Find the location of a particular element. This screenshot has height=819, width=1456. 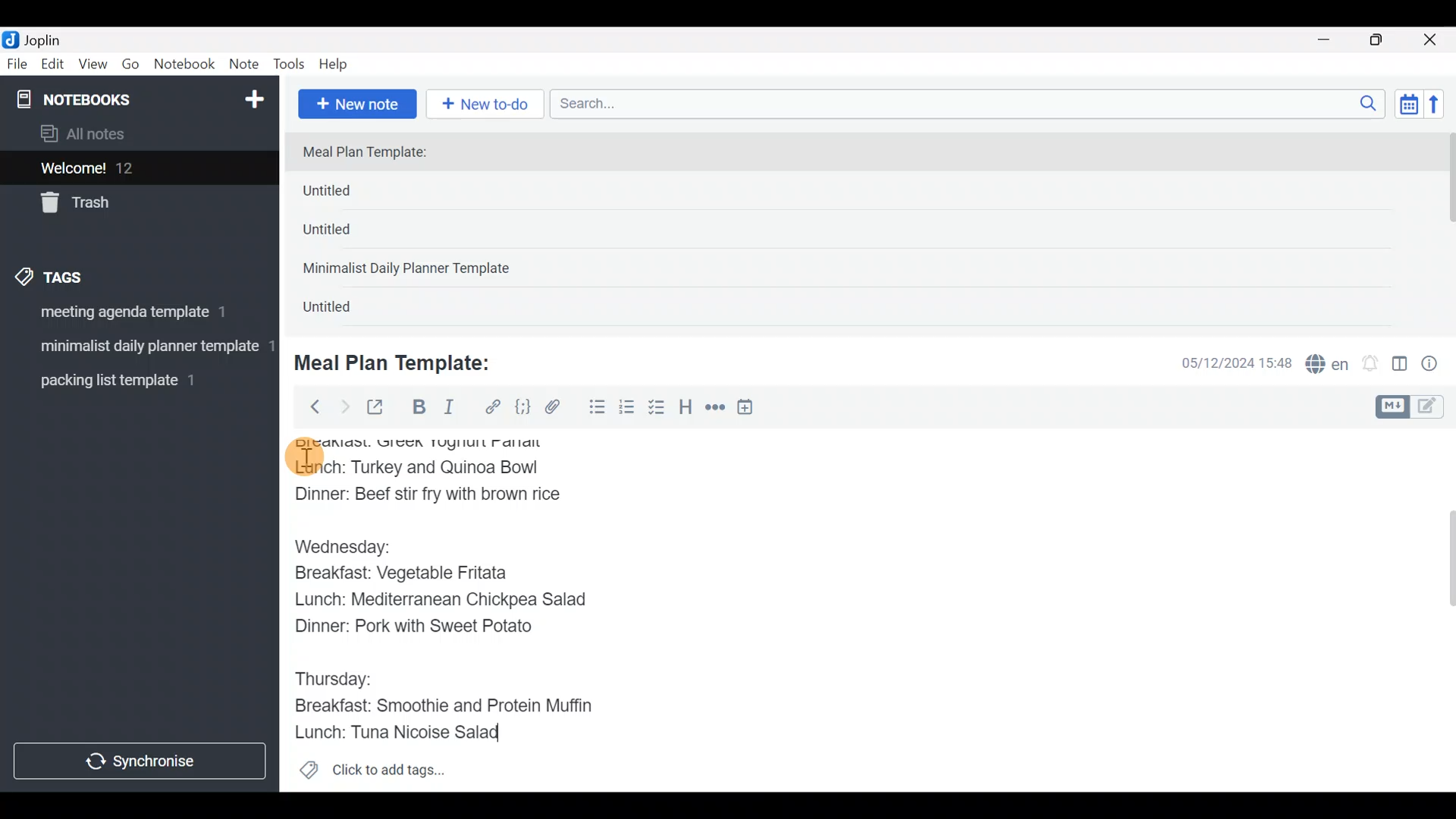

Wednesday: is located at coordinates (347, 545).